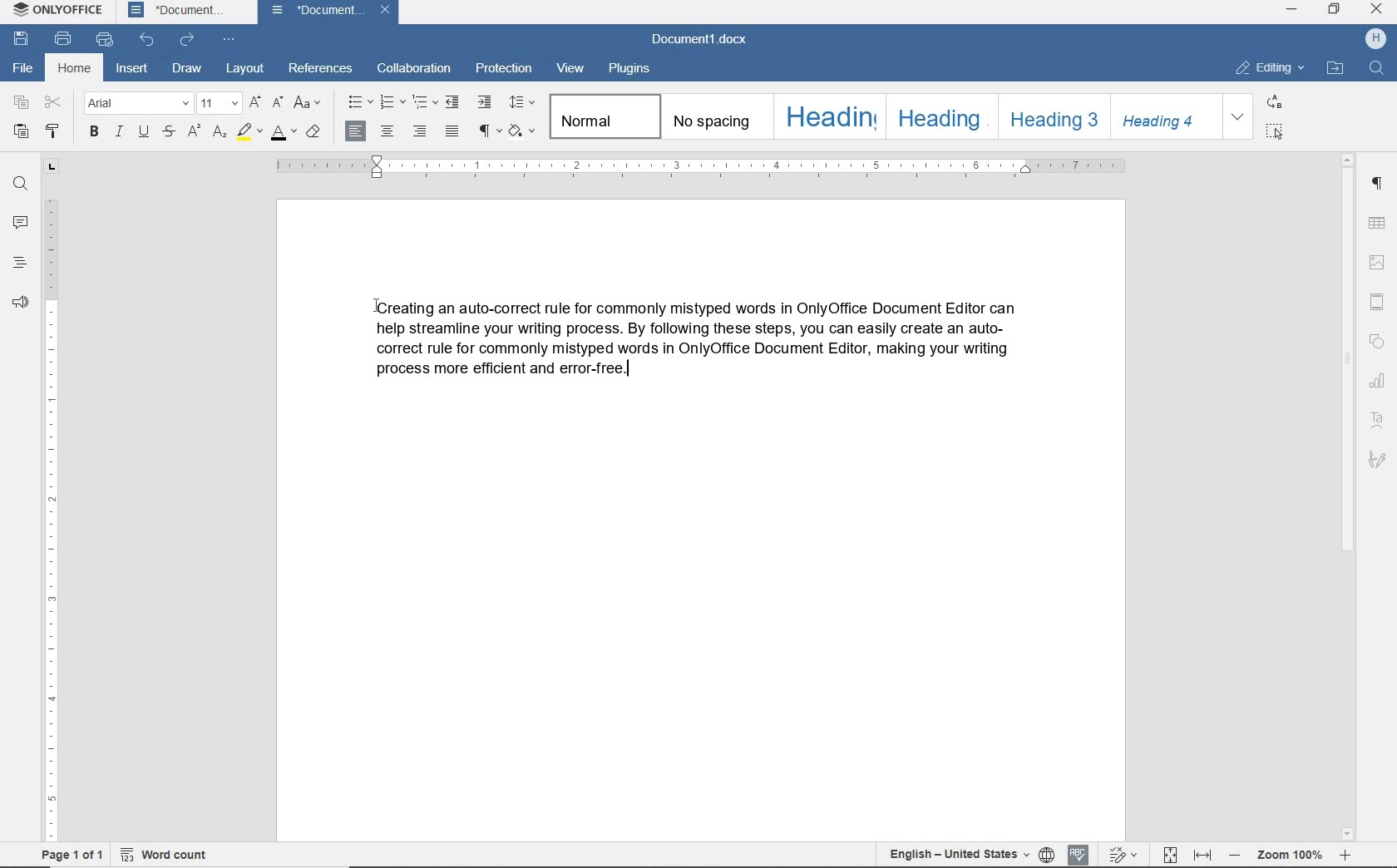 The width and height of the screenshot is (1397, 868). Describe the element at coordinates (220, 102) in the screenshot. I see `font size` at that location.